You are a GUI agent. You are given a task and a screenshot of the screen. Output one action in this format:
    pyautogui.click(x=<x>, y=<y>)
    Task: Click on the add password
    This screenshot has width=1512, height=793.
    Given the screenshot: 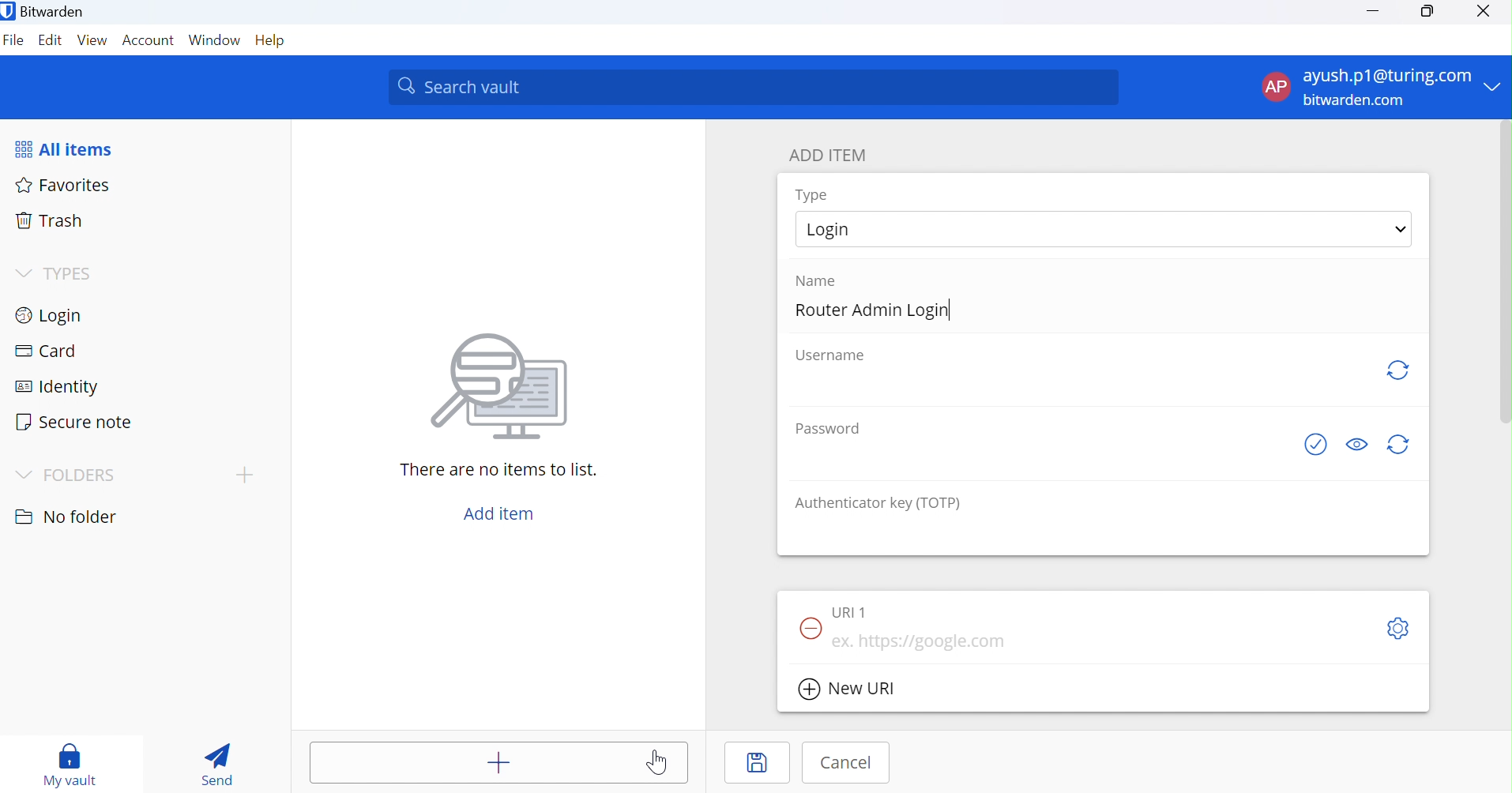 What is the action you would take?
    pyautogui.click(x=1038, y=458)
    